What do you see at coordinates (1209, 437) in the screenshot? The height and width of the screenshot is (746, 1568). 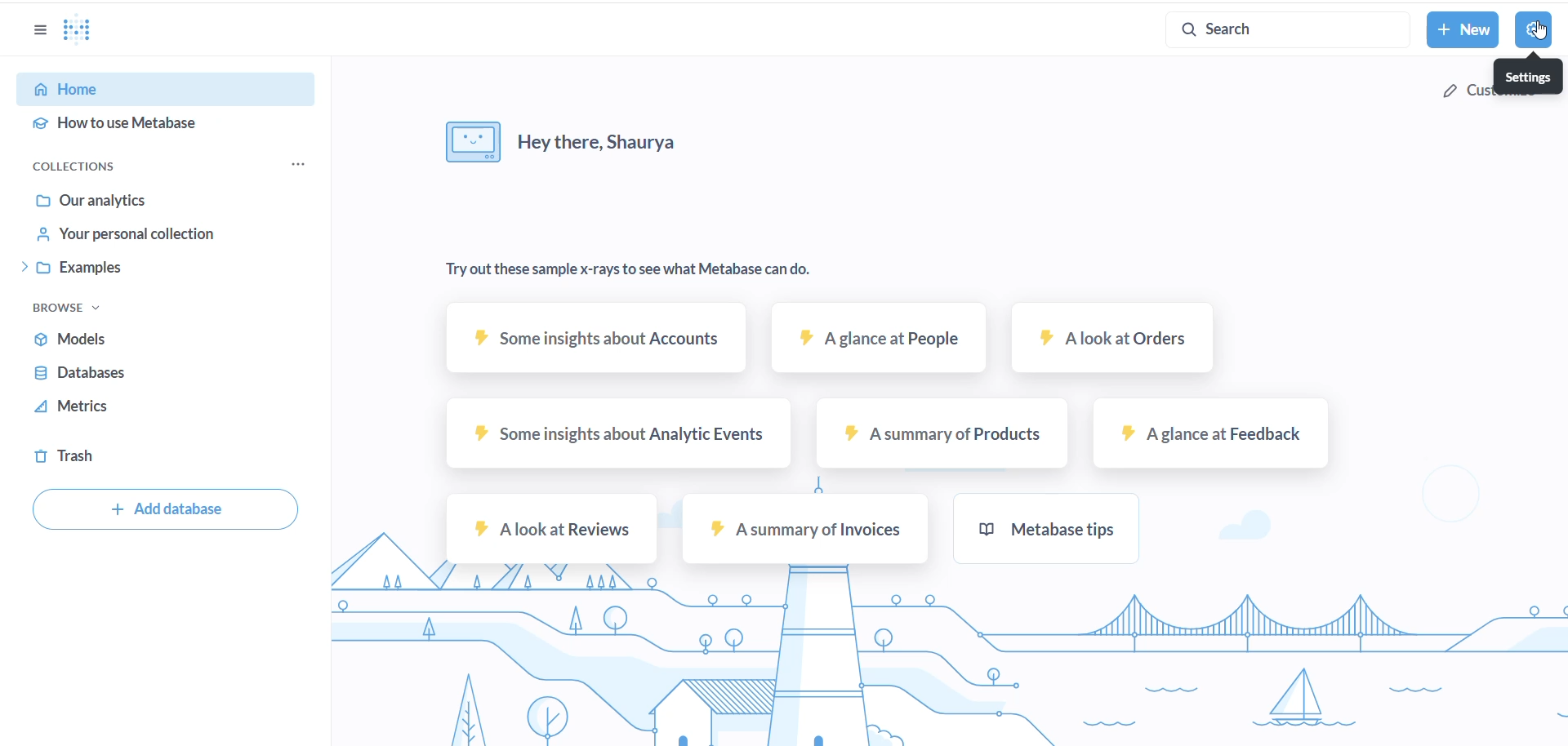 I see `A glance at feedback` at bounding box center [1209, 437].